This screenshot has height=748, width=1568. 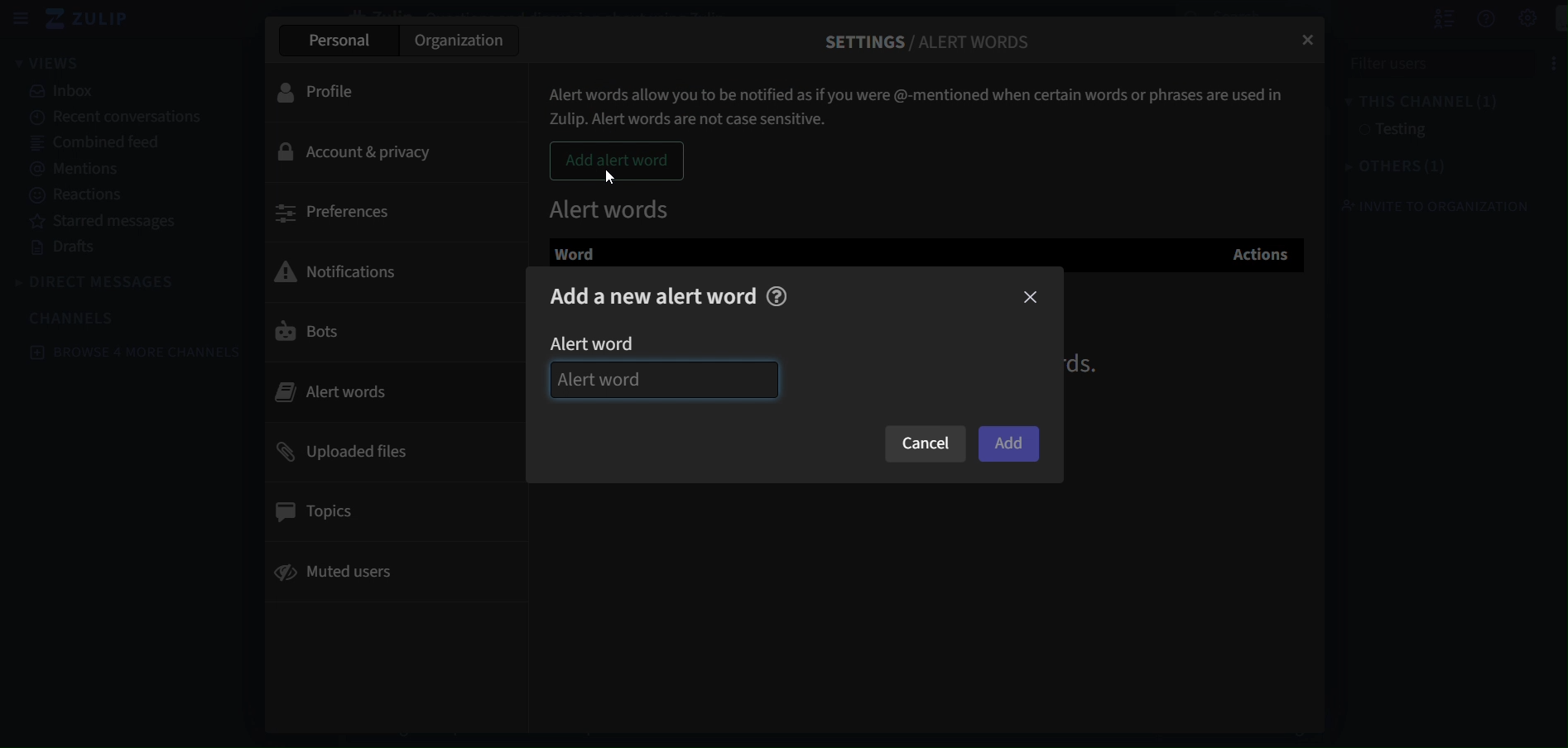 I want to click on reactions, so click(x=78, y=194).